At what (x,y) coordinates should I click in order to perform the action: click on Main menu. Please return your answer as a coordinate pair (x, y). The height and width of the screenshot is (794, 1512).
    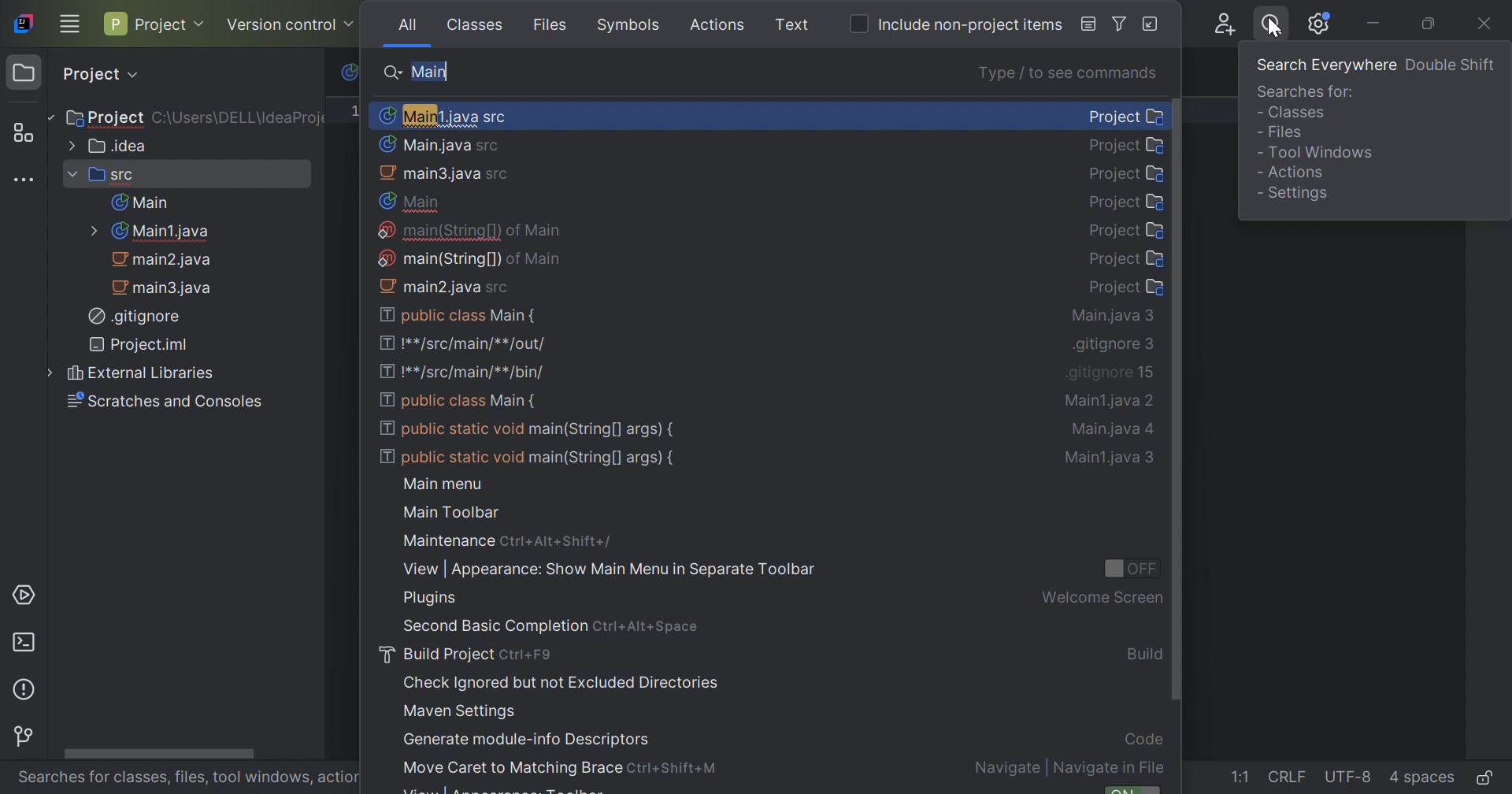
    Looking at the image, I should click on (442, 482).